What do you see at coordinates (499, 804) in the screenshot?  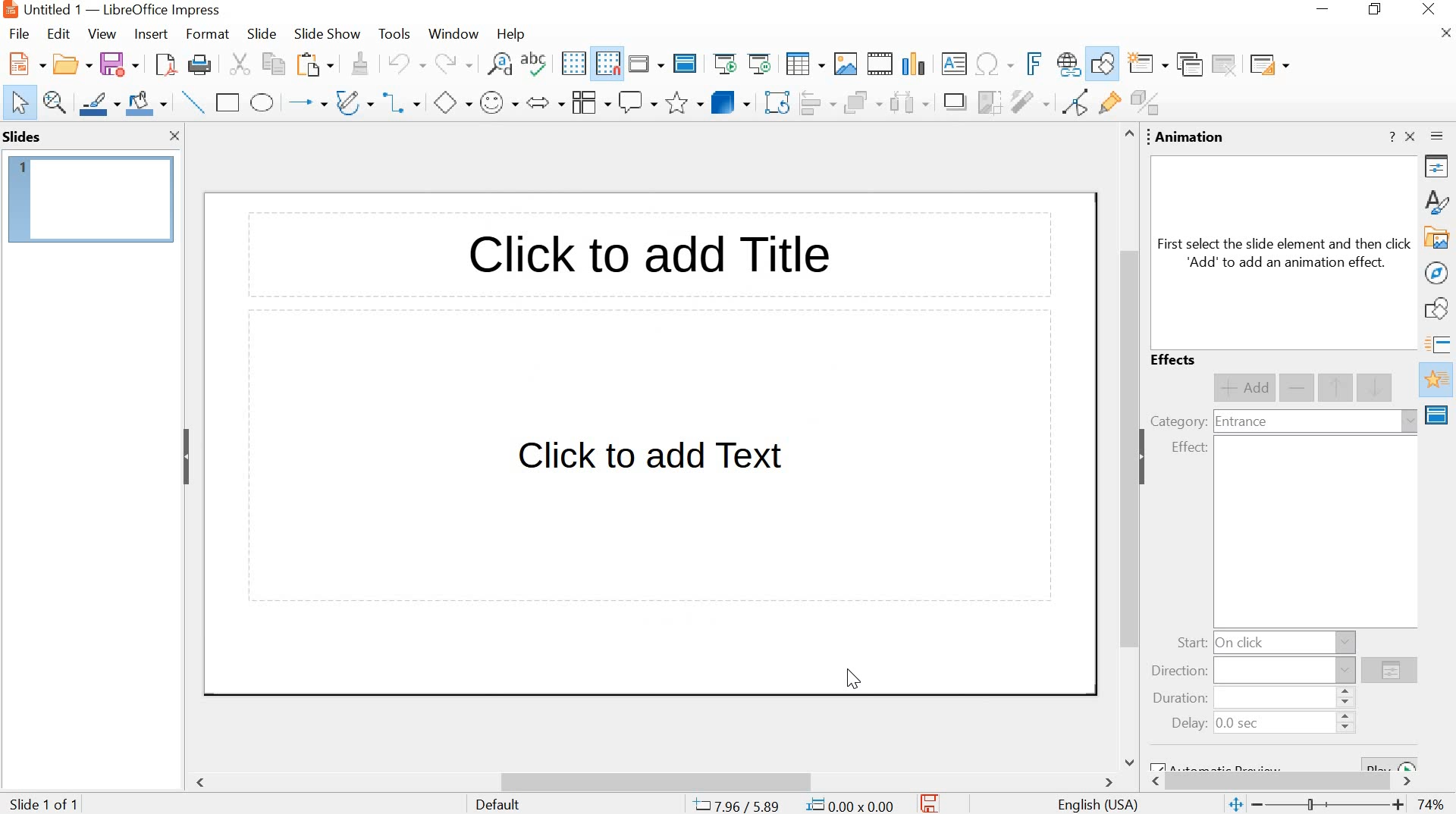 I see `default` at bounding box center [499, 804].